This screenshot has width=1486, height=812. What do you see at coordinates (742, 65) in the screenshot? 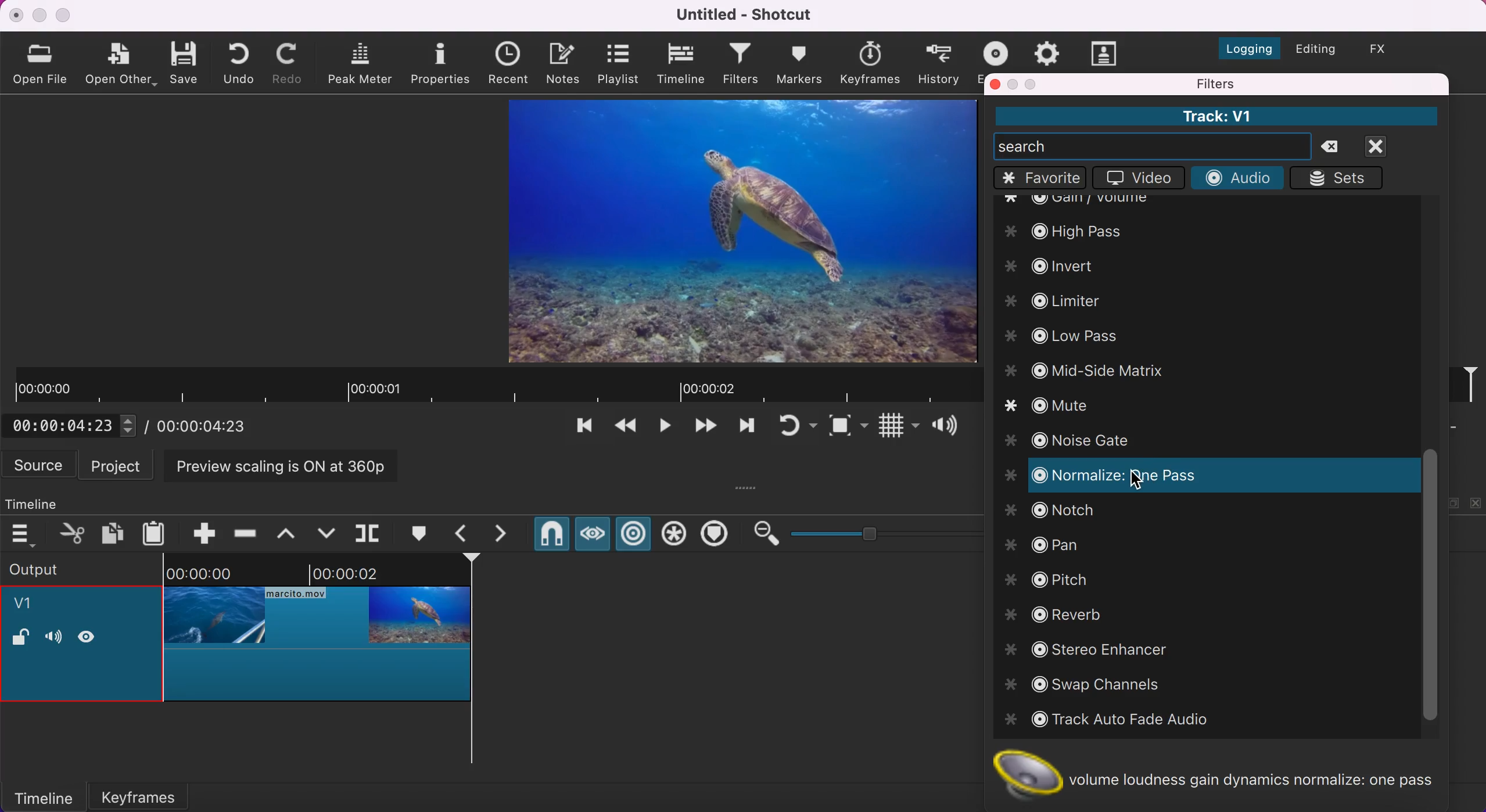
I see `filters` at bounding box center [742, 65].